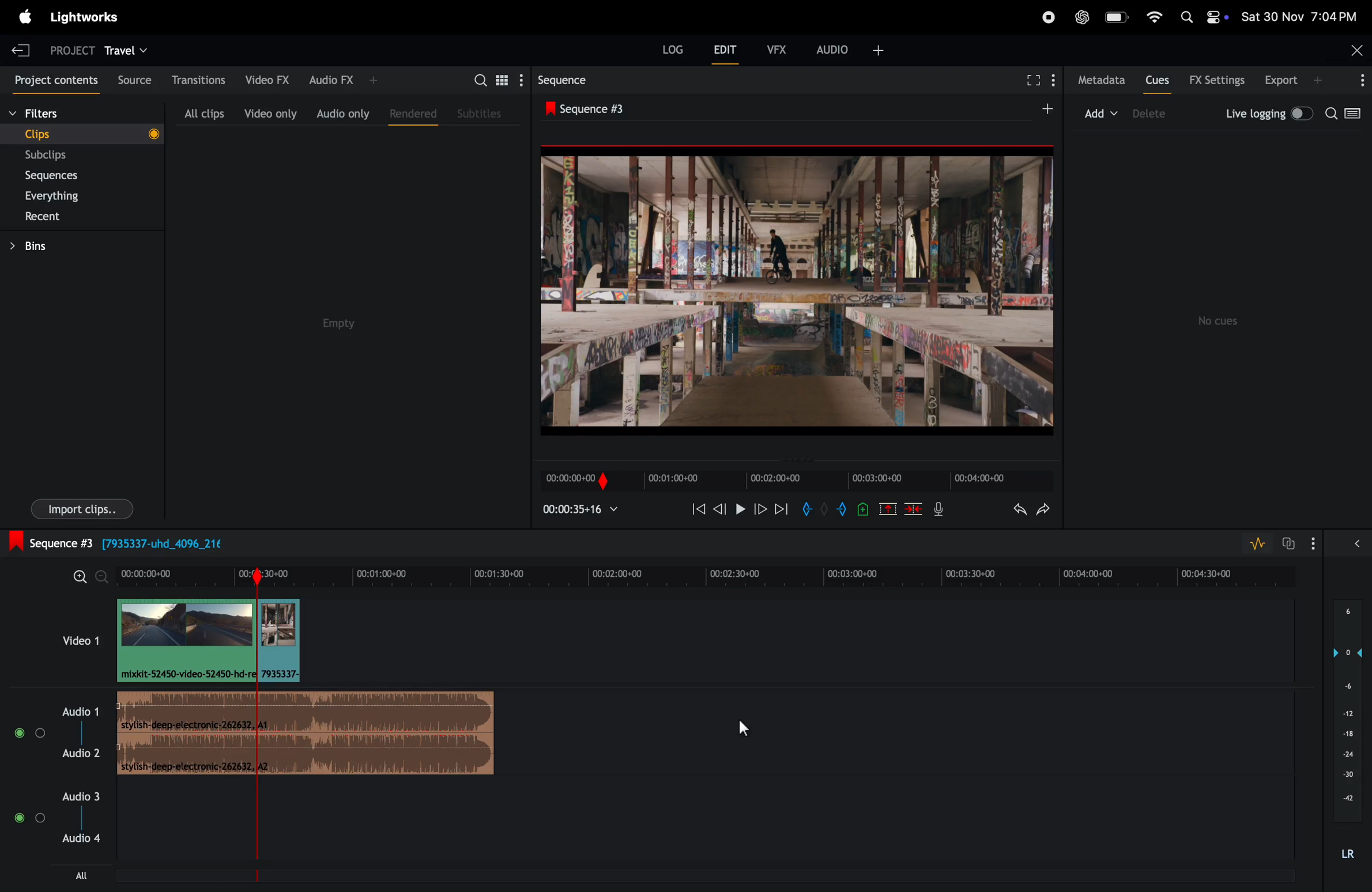 This screenshot has height=892, width=1372. What do you see at coordinates (266, 80) in the screenshot?
I see `video fx` at bounding box center [266, 80].